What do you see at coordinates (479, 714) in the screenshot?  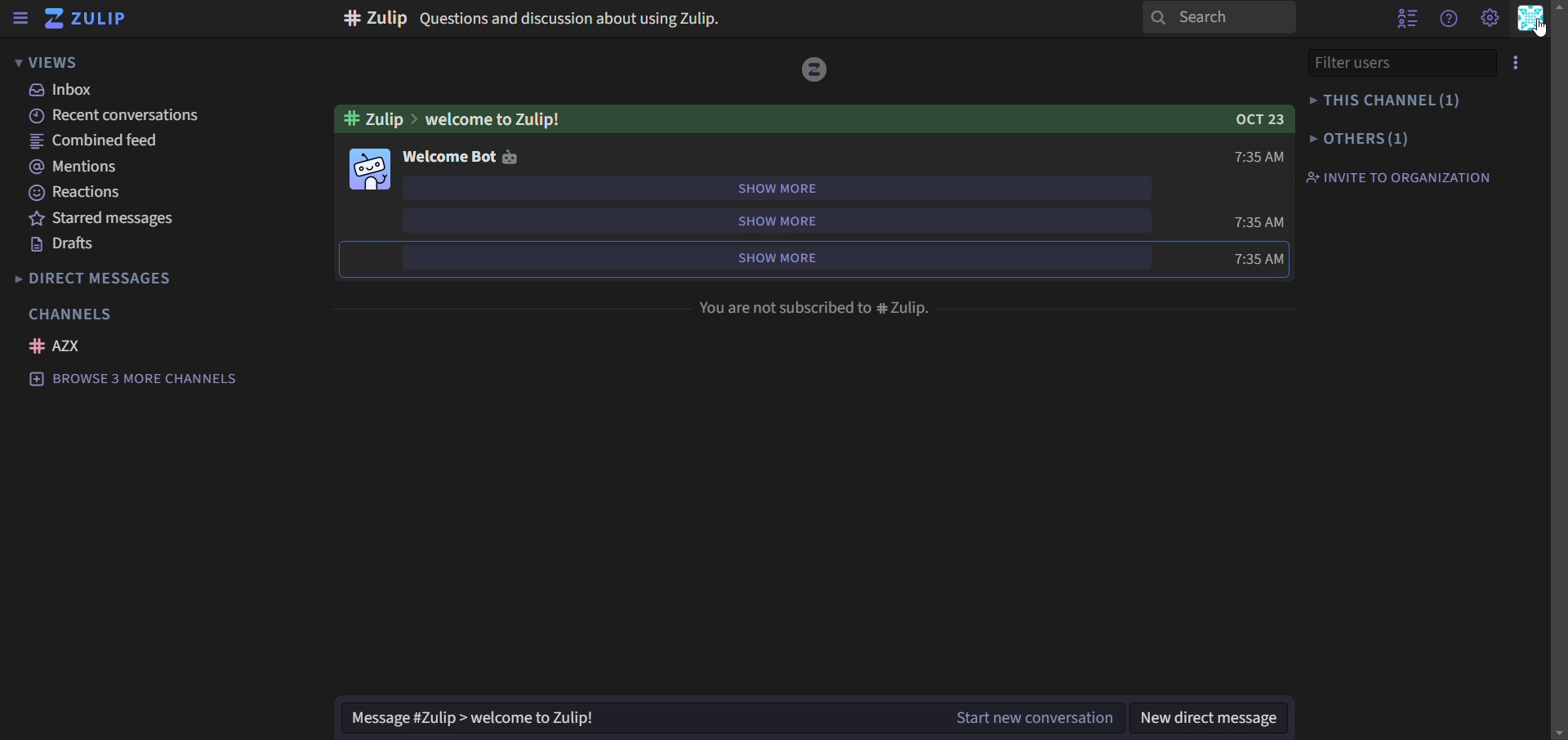 I see `message#zulip>welcome to zulip!` at bounding box center [479, 714].